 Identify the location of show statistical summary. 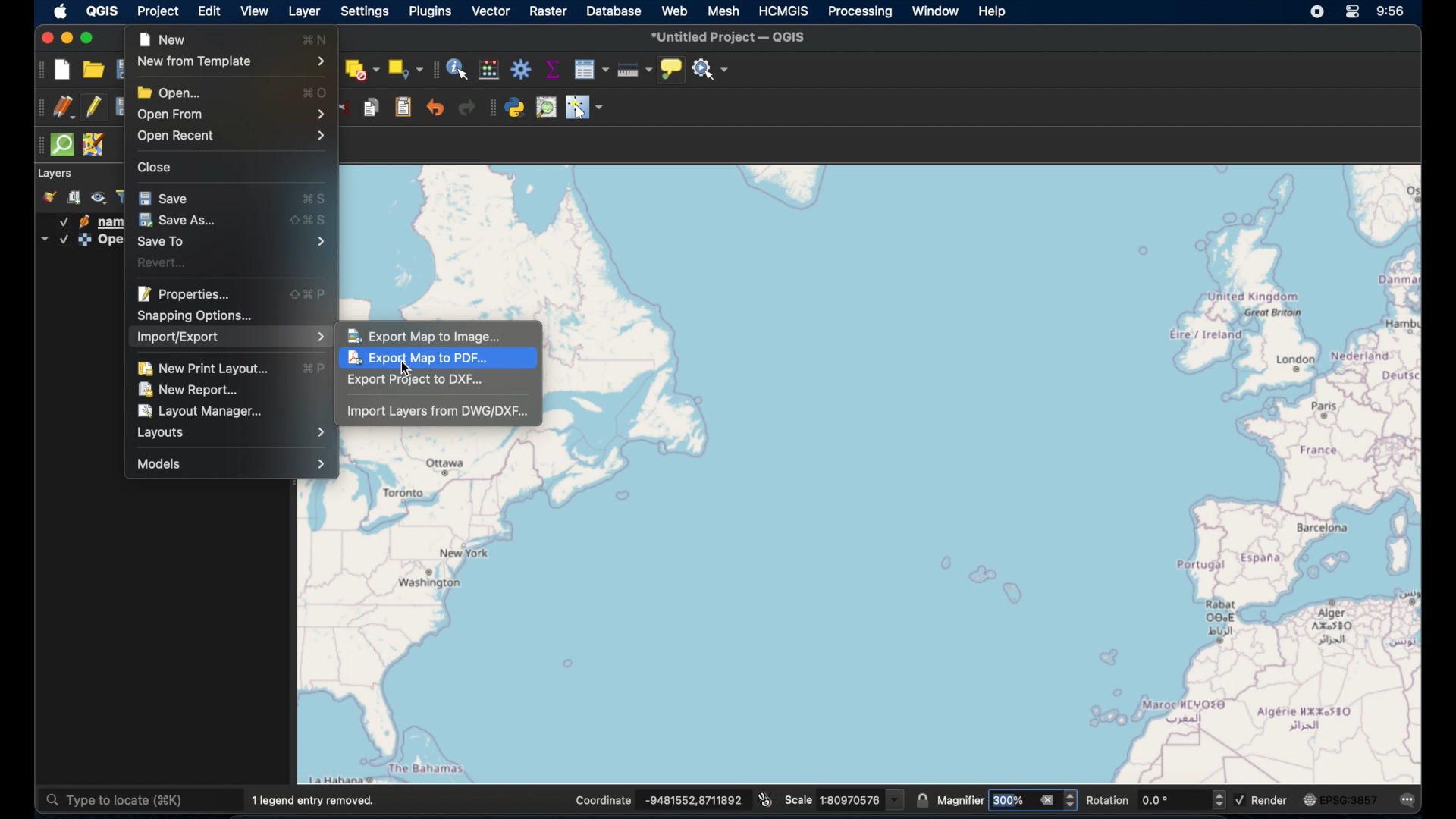
(553, 70).